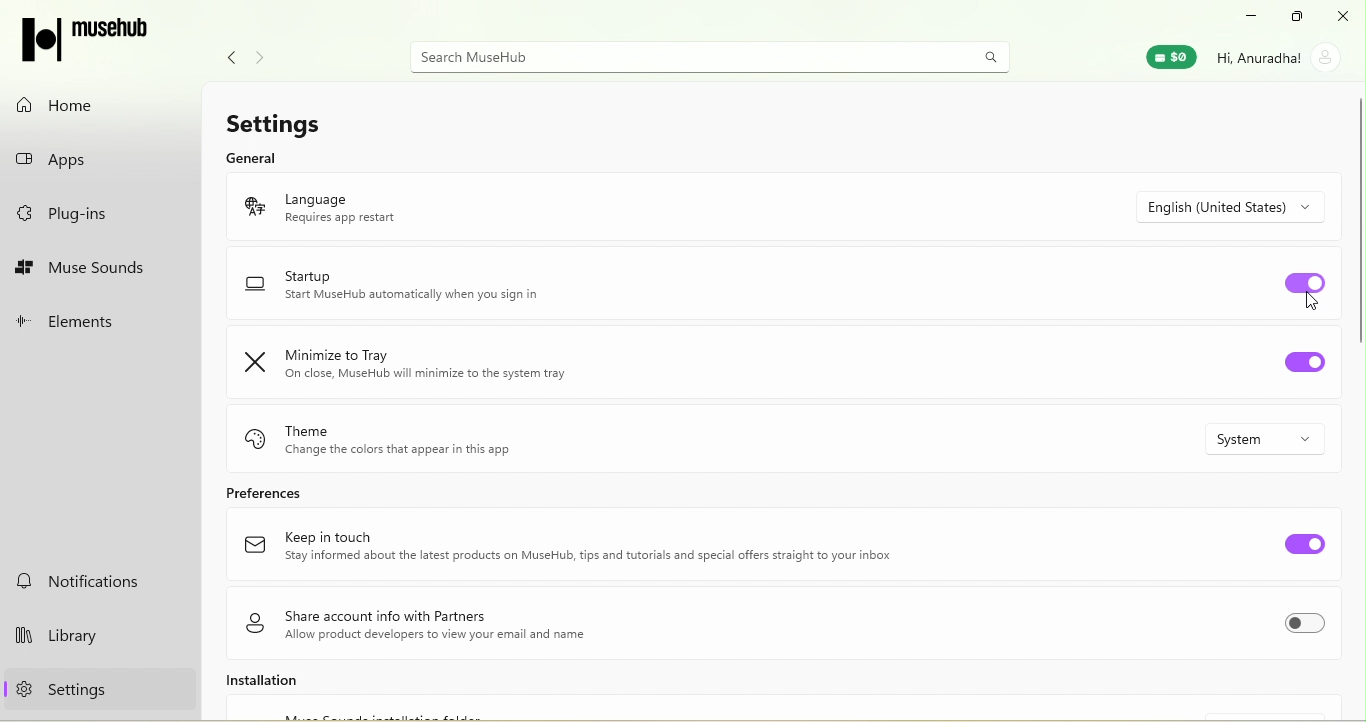  I want to click on plug-ins, so click(94, 218).